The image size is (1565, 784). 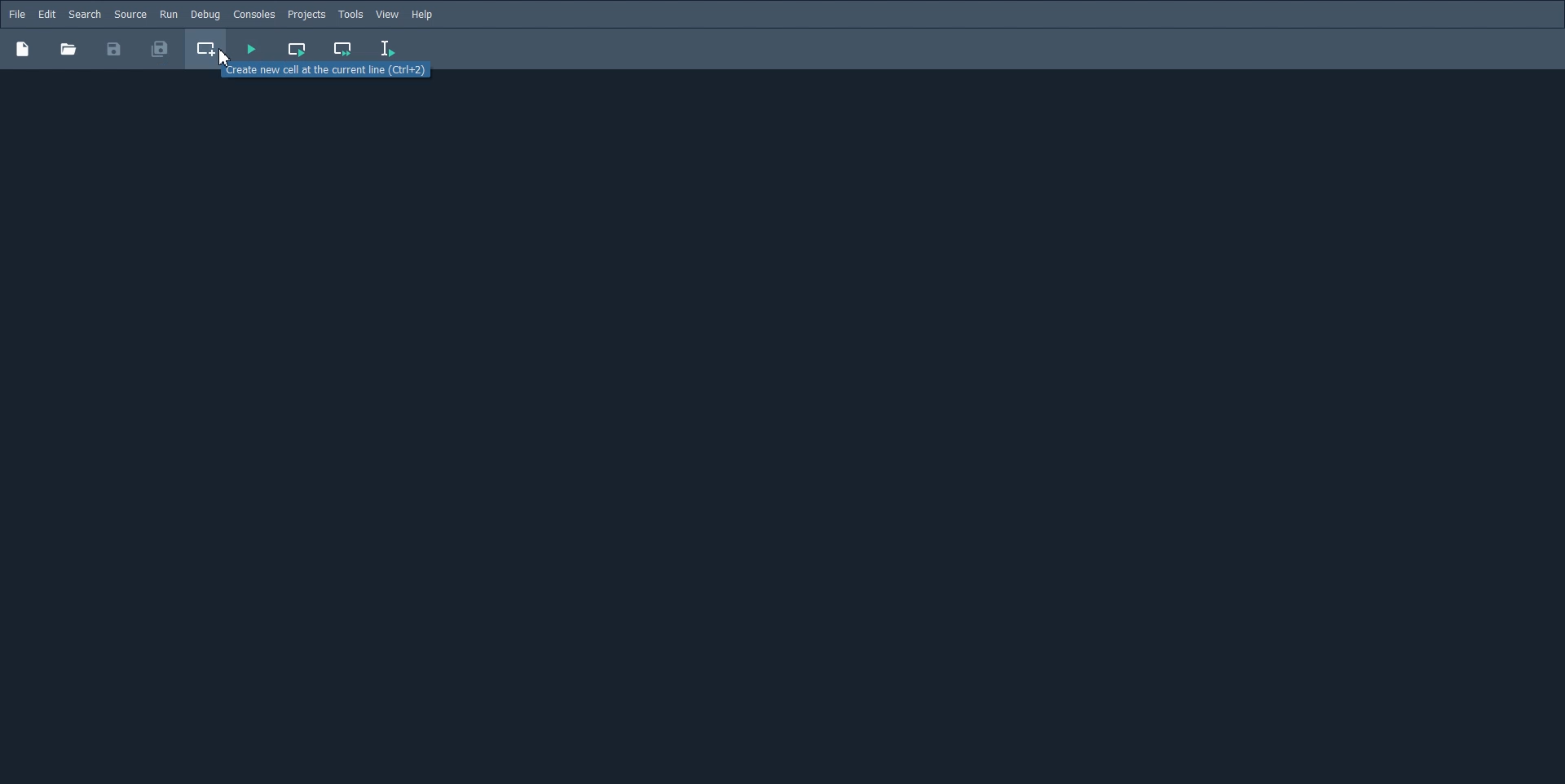 I want to click on Source, so click(x=130, y=14).